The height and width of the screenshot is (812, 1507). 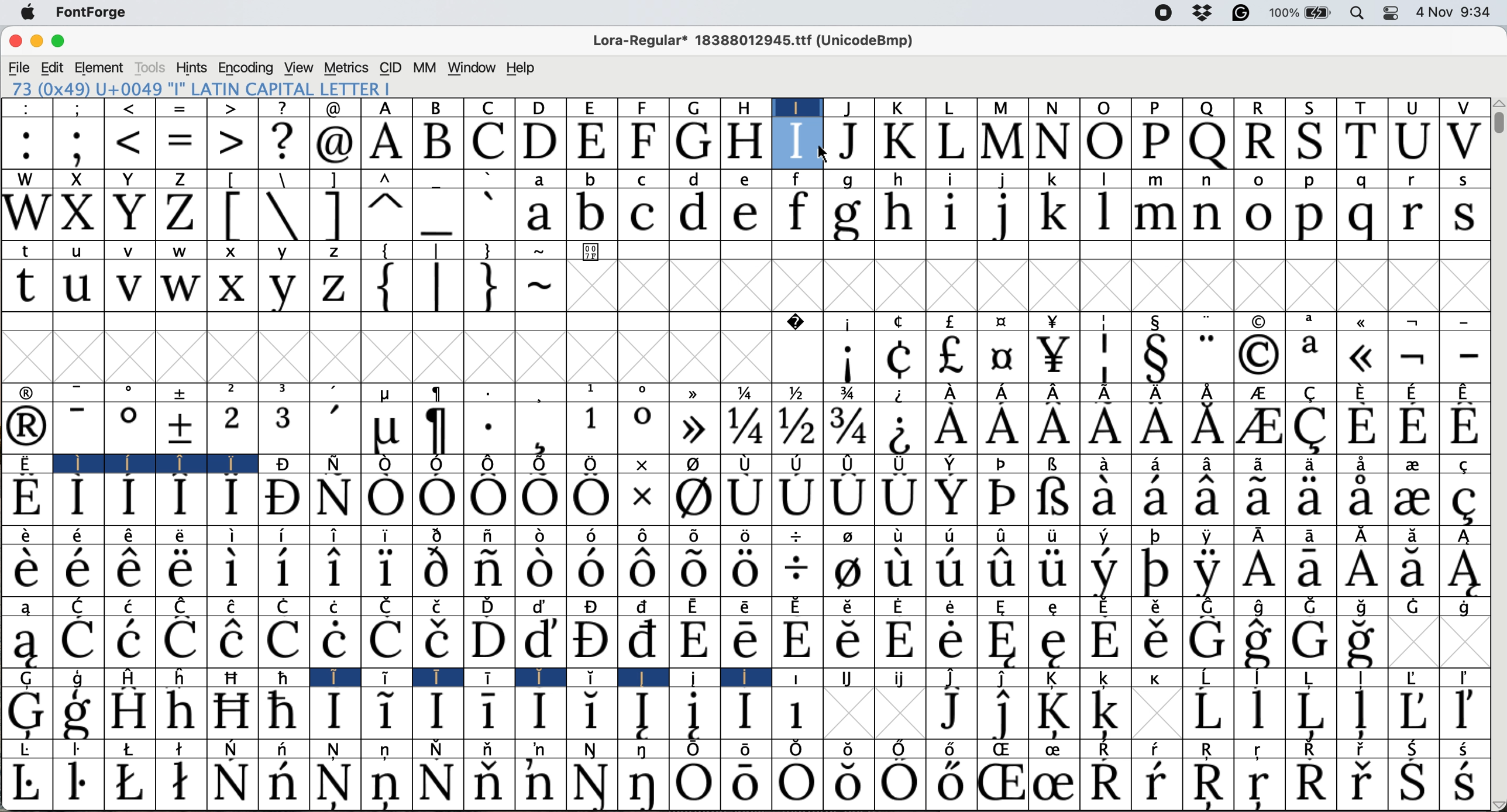 What do you see at coordinates (851, 180) in the screenshot?
I see `g` at bounding box center [851, 180].